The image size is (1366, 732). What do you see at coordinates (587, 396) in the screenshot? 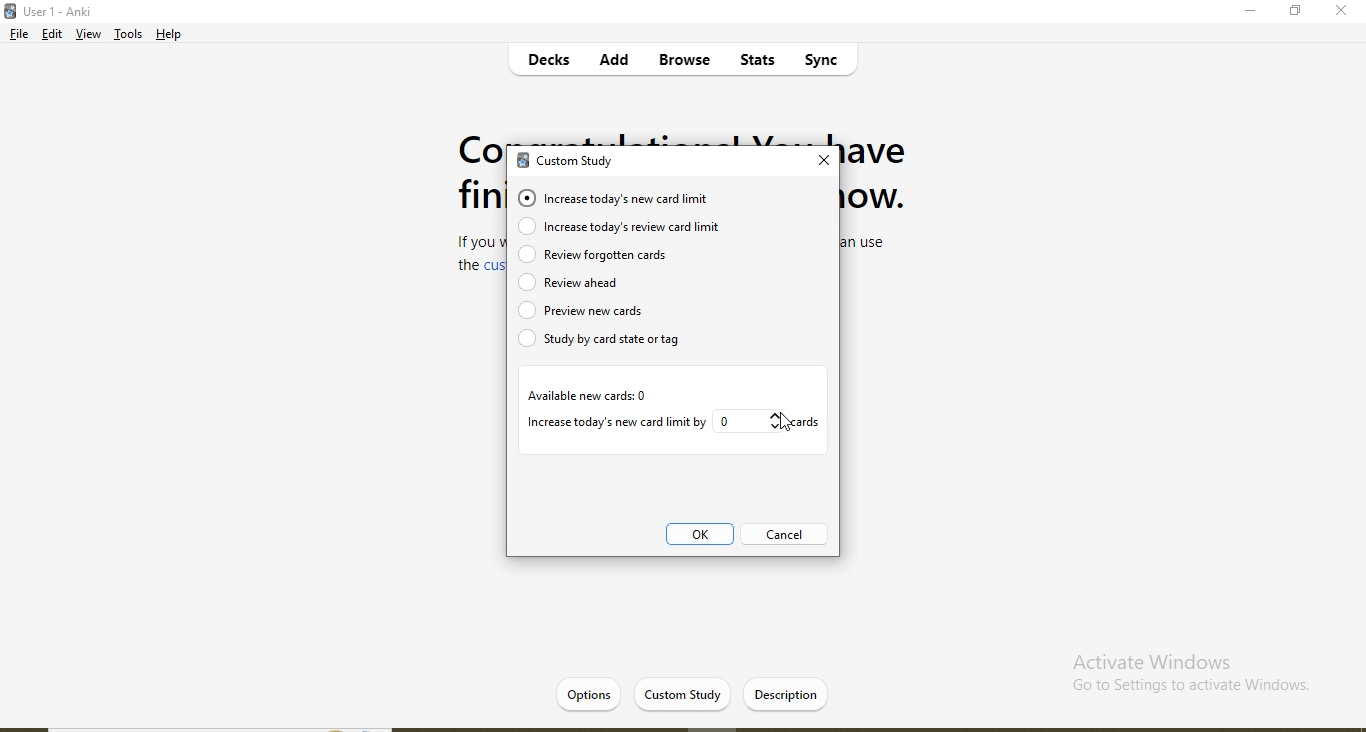
I see `available new cards: 0` at bounding box center [587, 396].